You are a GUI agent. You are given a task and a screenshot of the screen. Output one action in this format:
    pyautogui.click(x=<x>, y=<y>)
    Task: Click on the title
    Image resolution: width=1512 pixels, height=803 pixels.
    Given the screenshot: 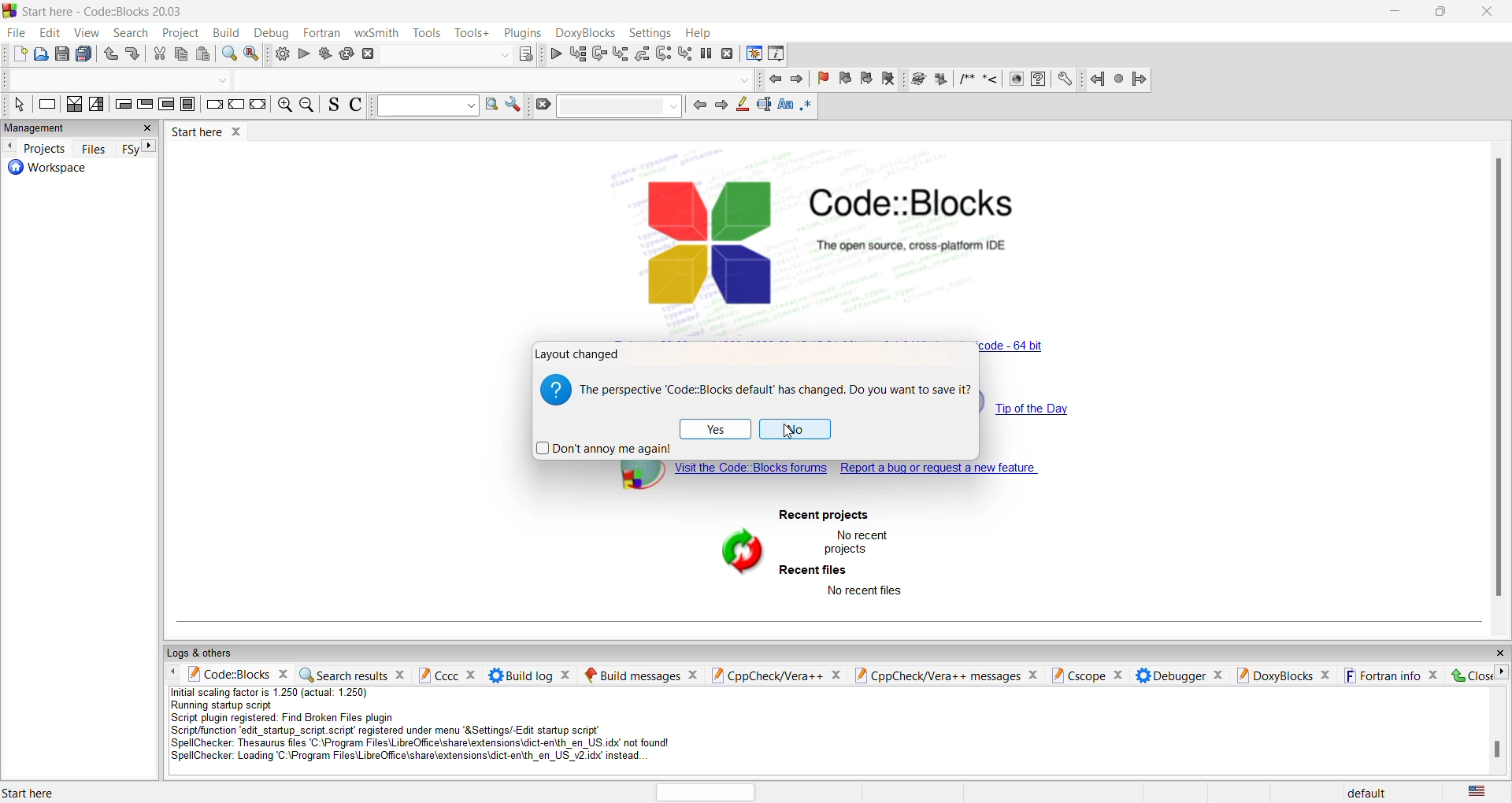 What is the action you would take?
    pyautogui.click(x=124, y=11)
    